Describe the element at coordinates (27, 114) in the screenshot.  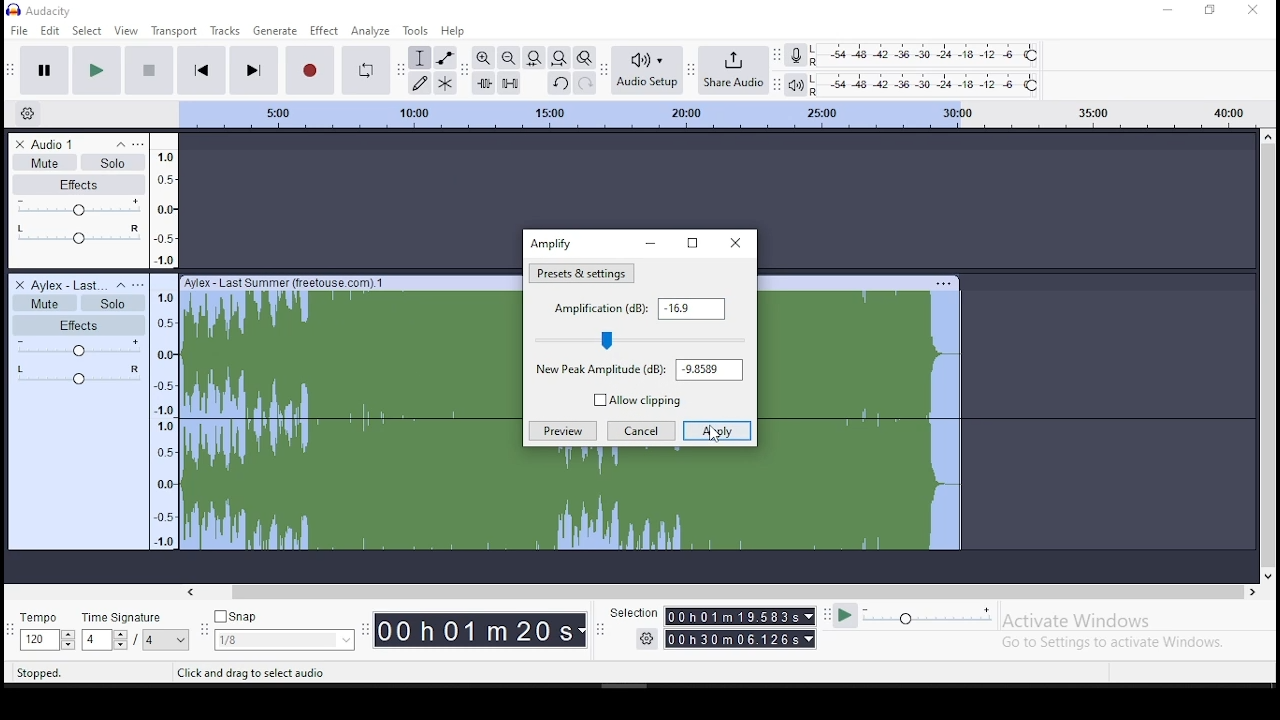
I see `timeline options` at that location.